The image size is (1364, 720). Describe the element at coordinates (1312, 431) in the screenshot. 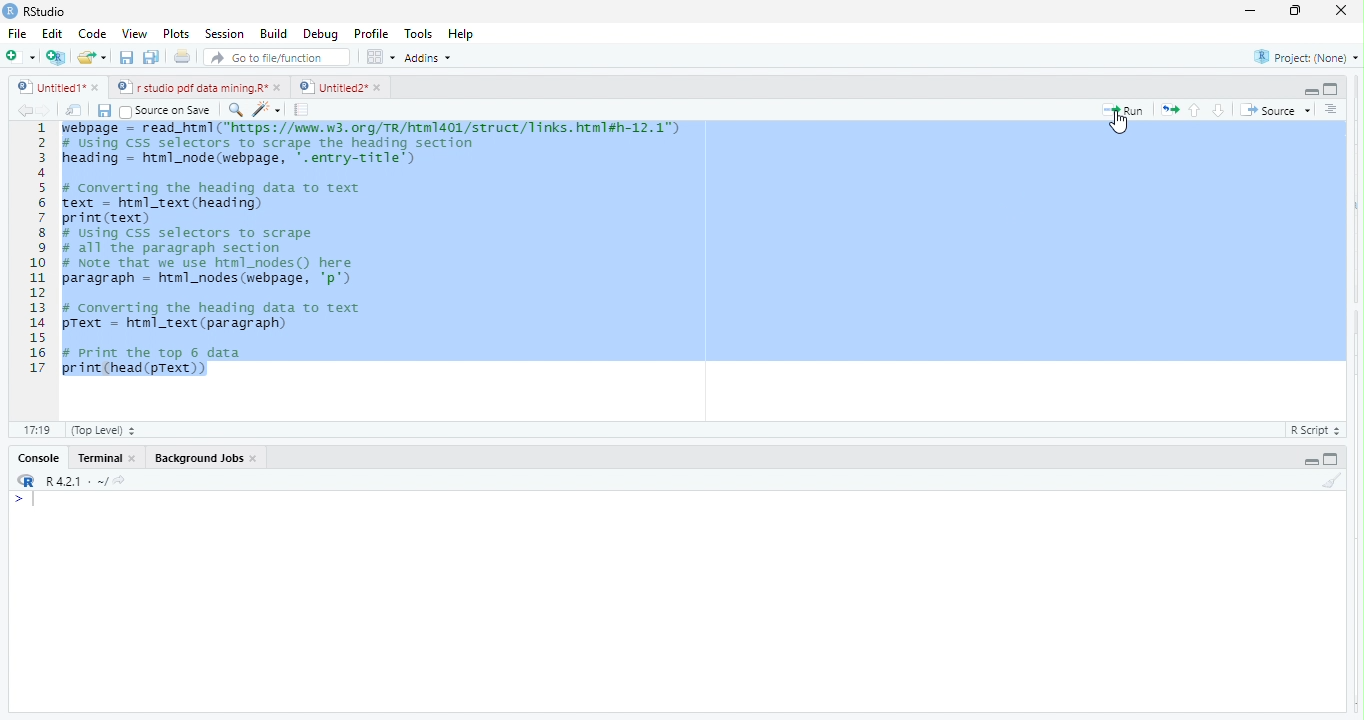

I see `R Script ` at that location.